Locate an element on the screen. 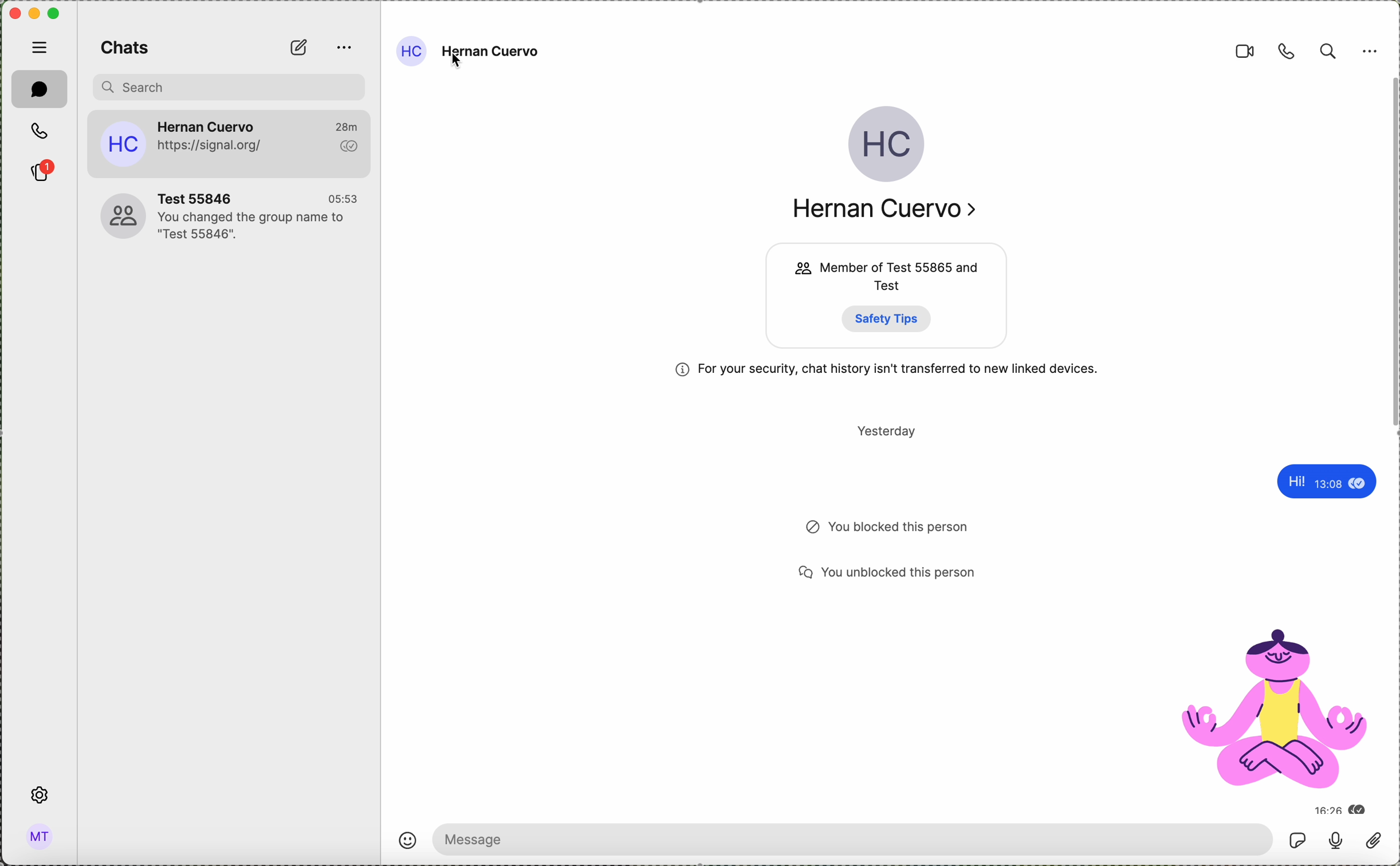 The height and width of the screenshot is (866, 1400). message is located at coordinates (853, 840).